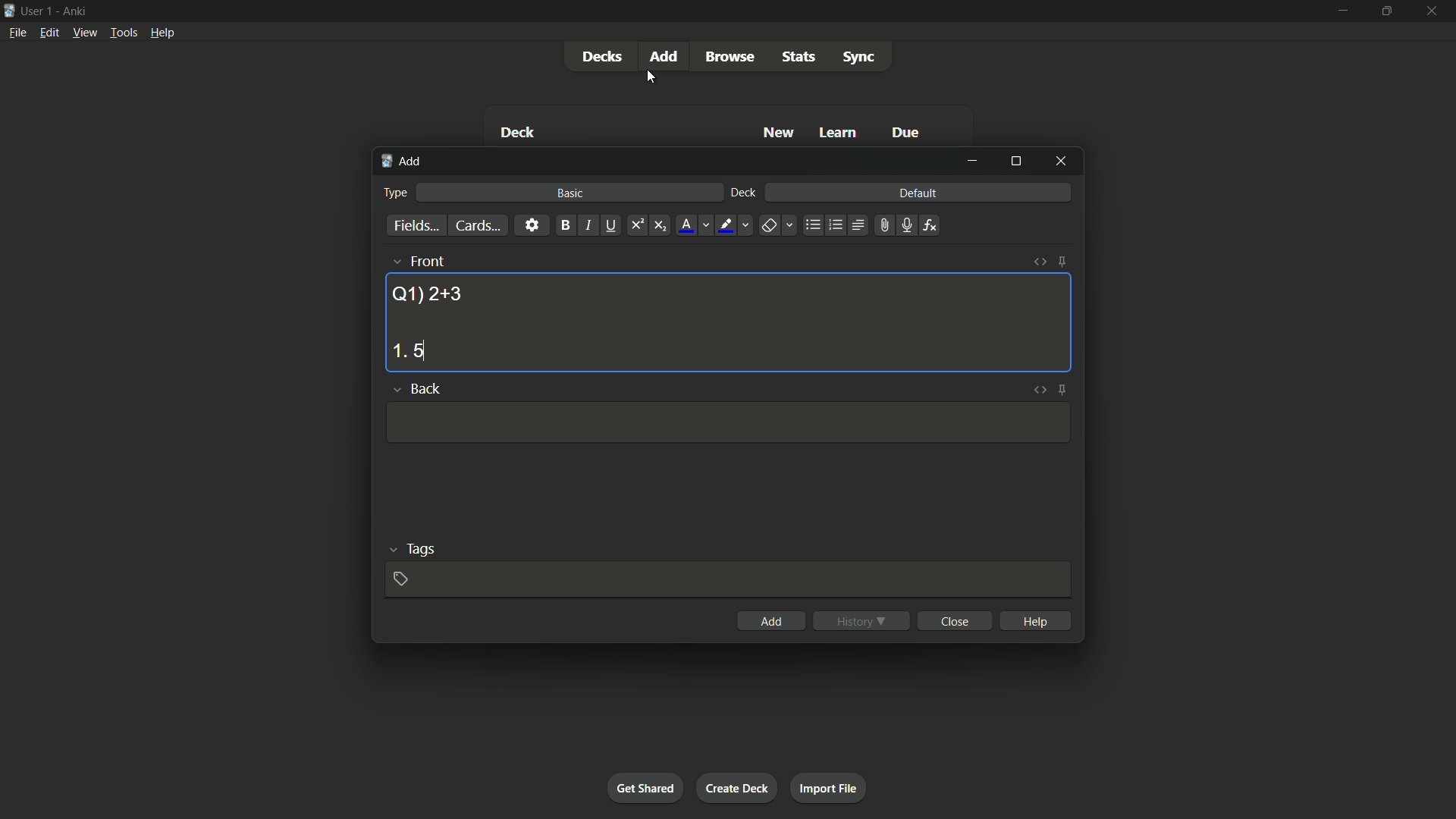  I want to click on close window, so click(1062, 160).